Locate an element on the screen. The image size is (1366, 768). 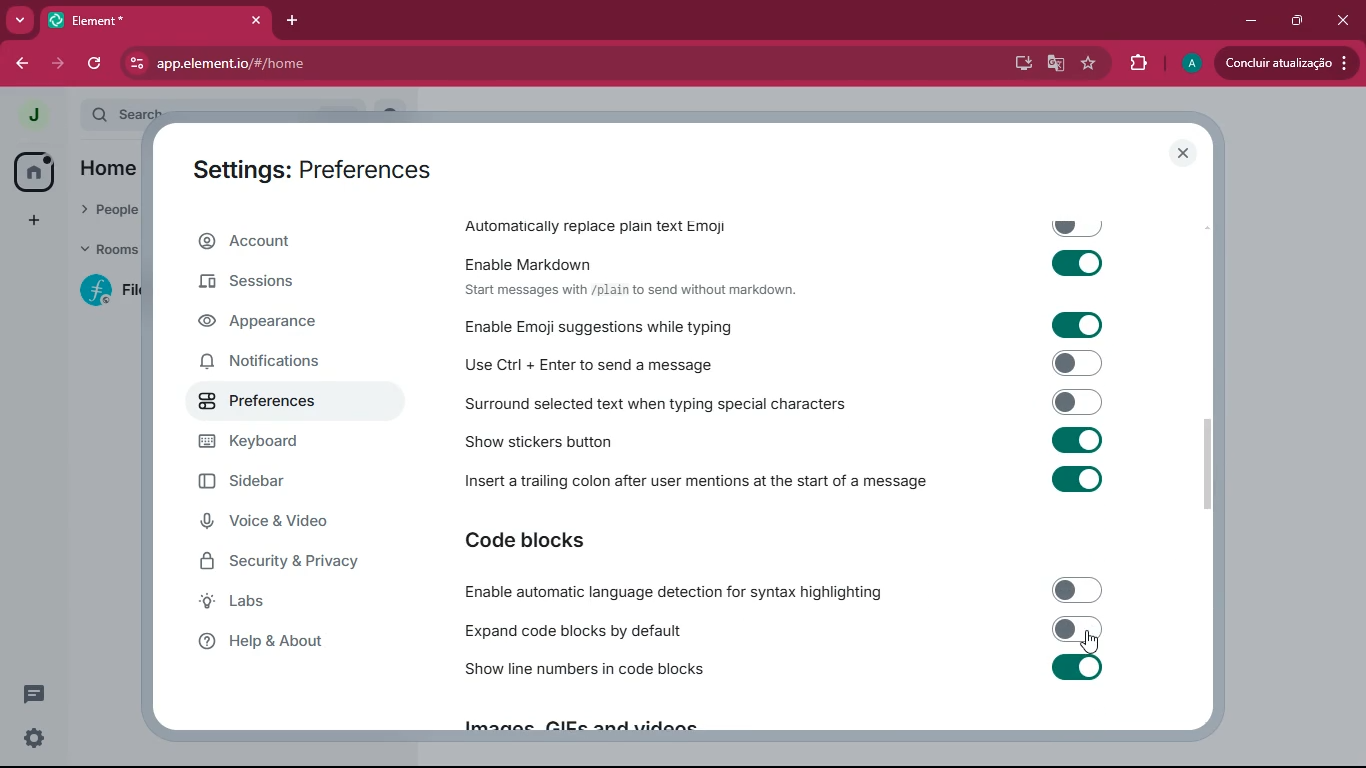
forward is located at coordinates (61, 64).